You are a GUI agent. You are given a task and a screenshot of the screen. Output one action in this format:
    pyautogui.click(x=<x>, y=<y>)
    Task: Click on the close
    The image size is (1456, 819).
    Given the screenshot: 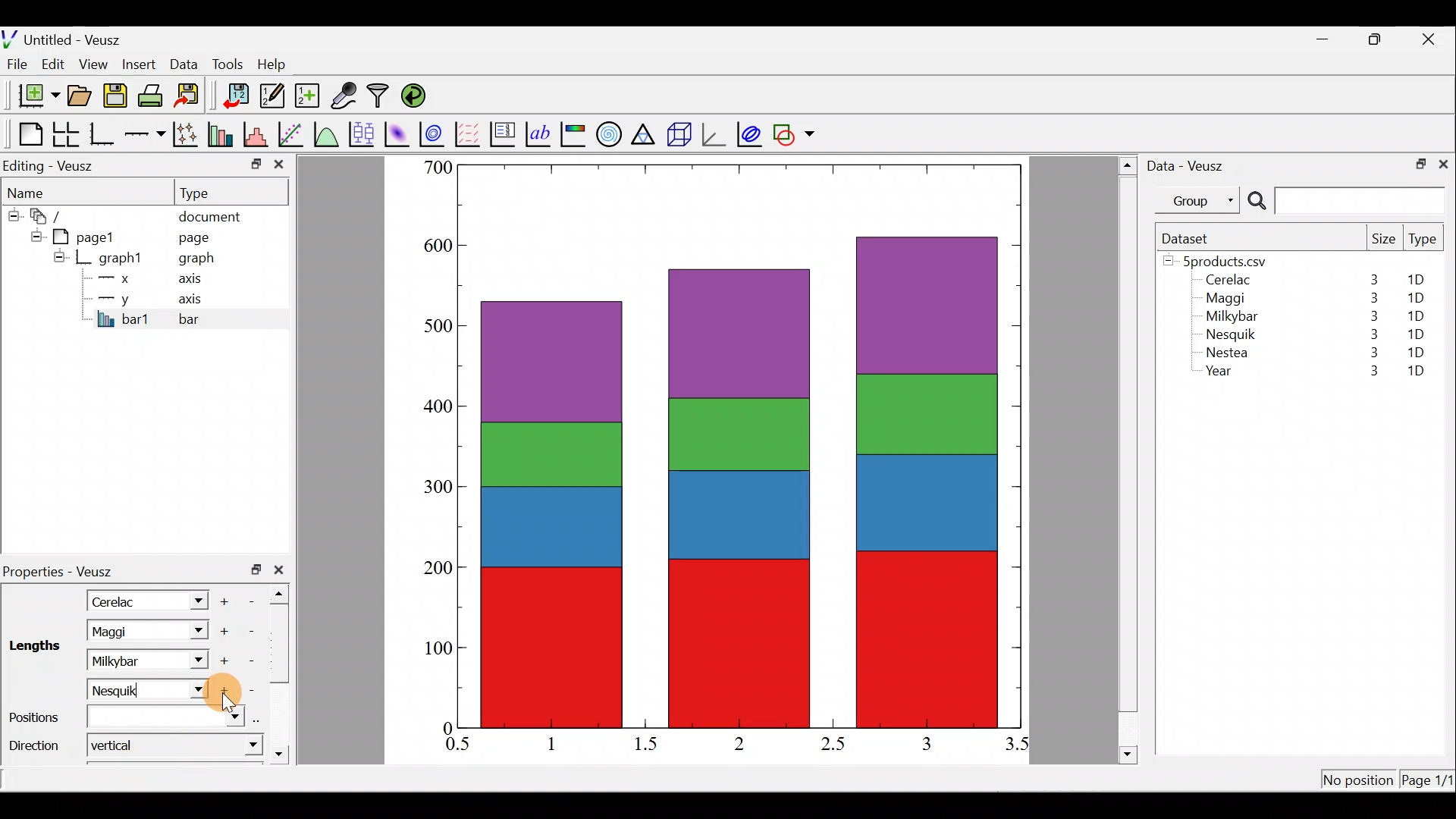 What is the action you would take?
    pyautogui.click(x=1443, y=163)
    